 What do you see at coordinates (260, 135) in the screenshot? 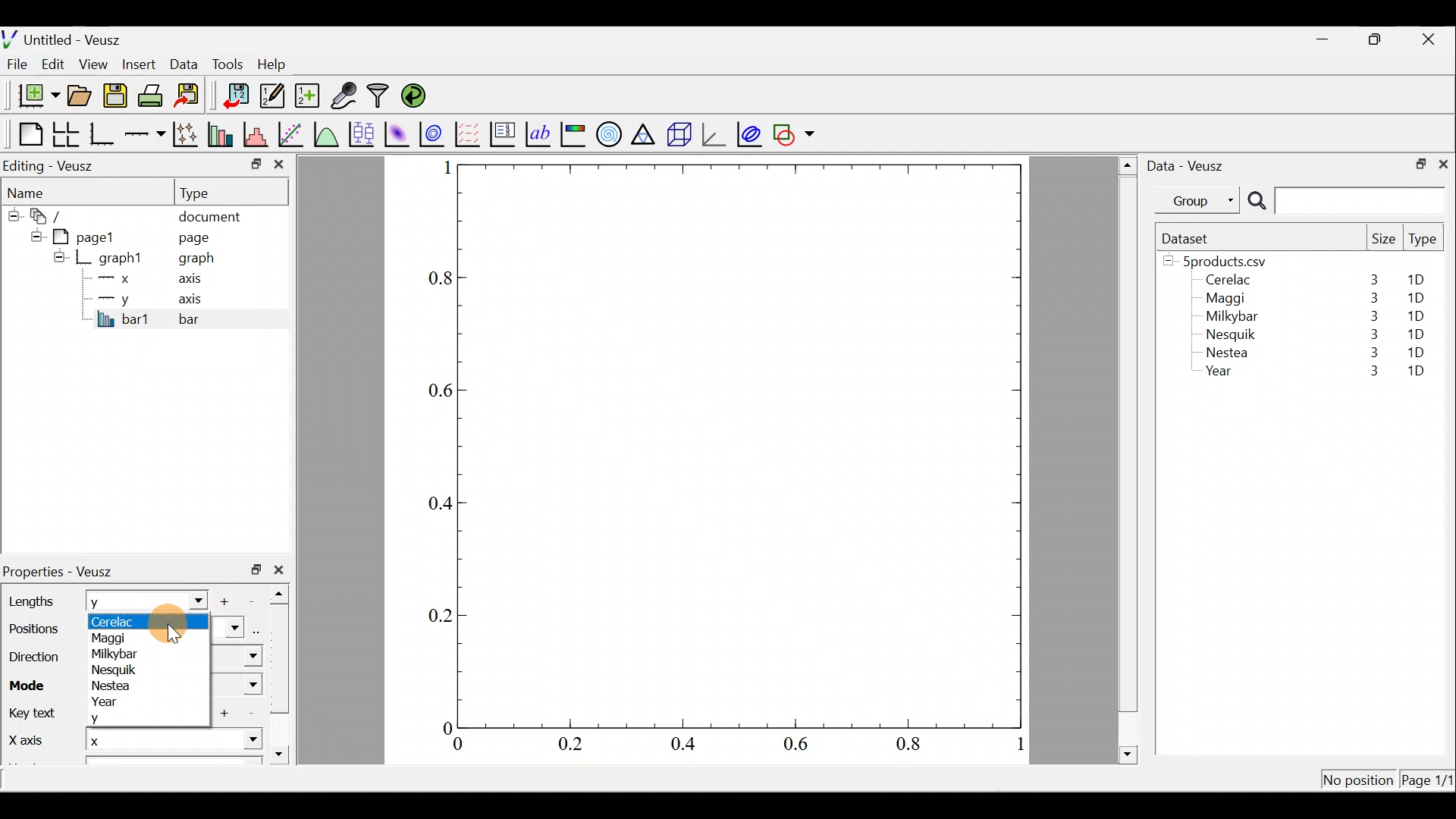
I see `Histogram of a dataset` at bounding box center [260, 135].